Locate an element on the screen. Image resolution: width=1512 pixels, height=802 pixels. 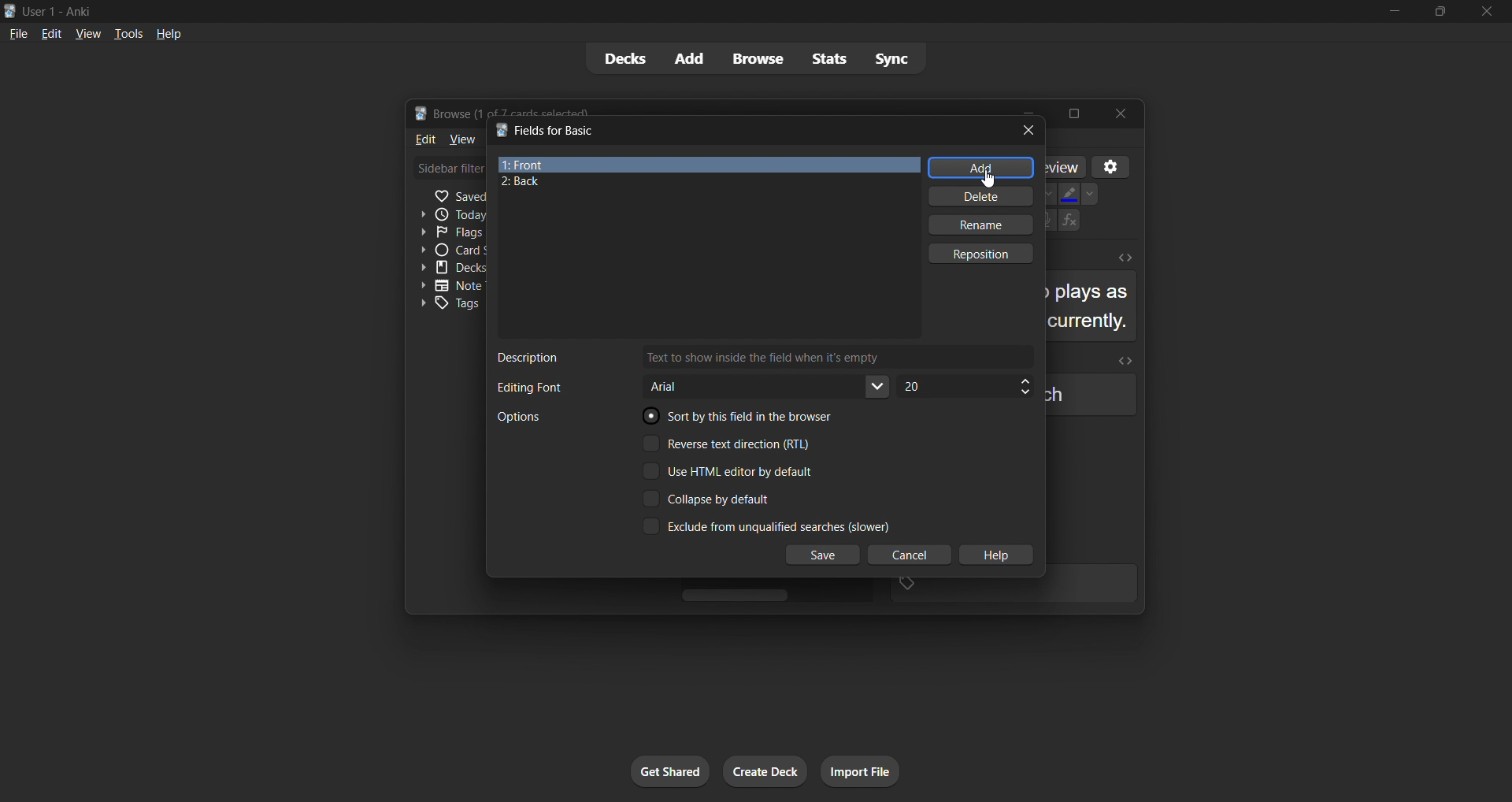
add is located at coordinates (691, 58).